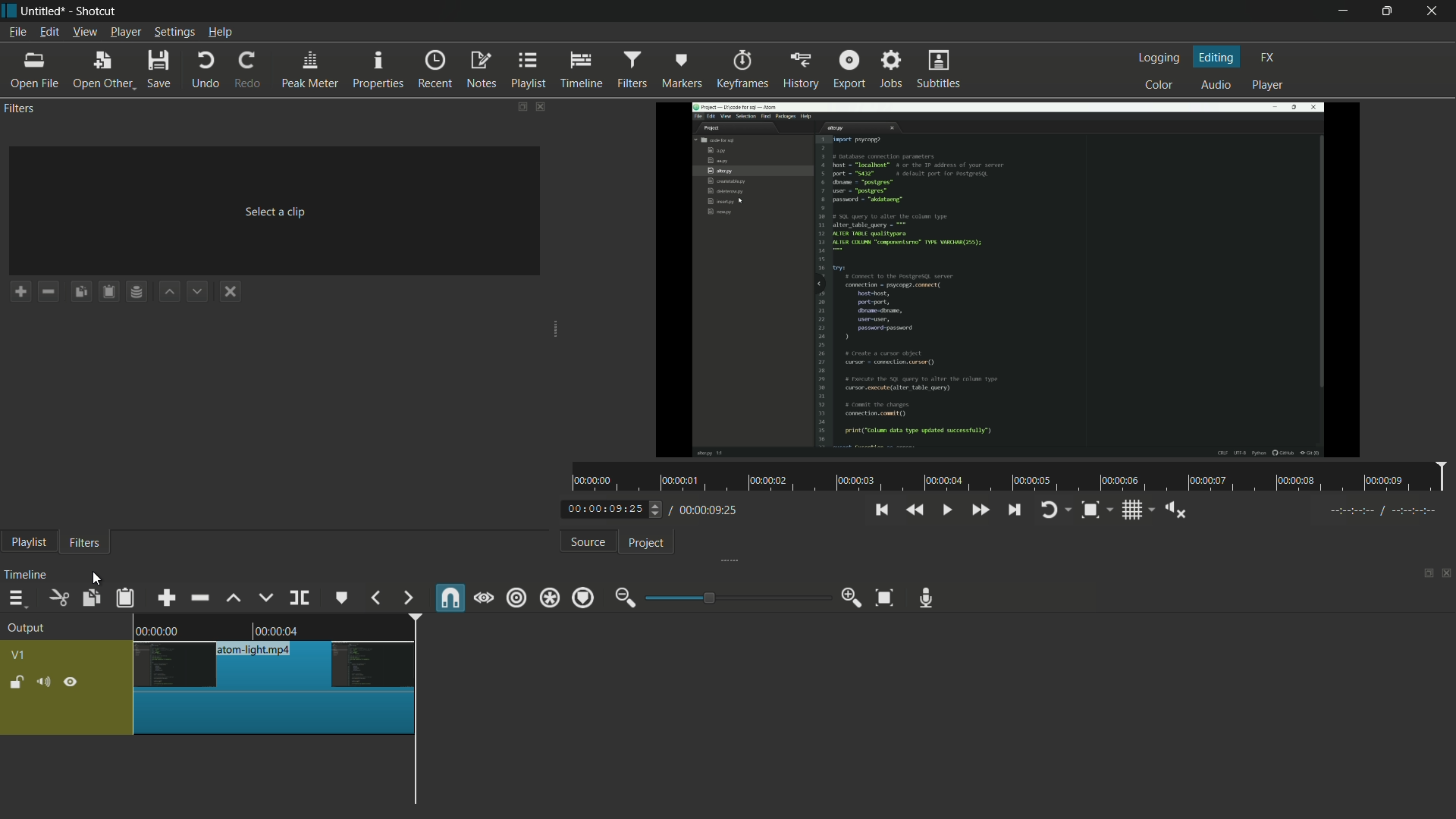  Describe the element at coordinates (945, 508) in the screenshot. I see `toggle play or pause` at that location.